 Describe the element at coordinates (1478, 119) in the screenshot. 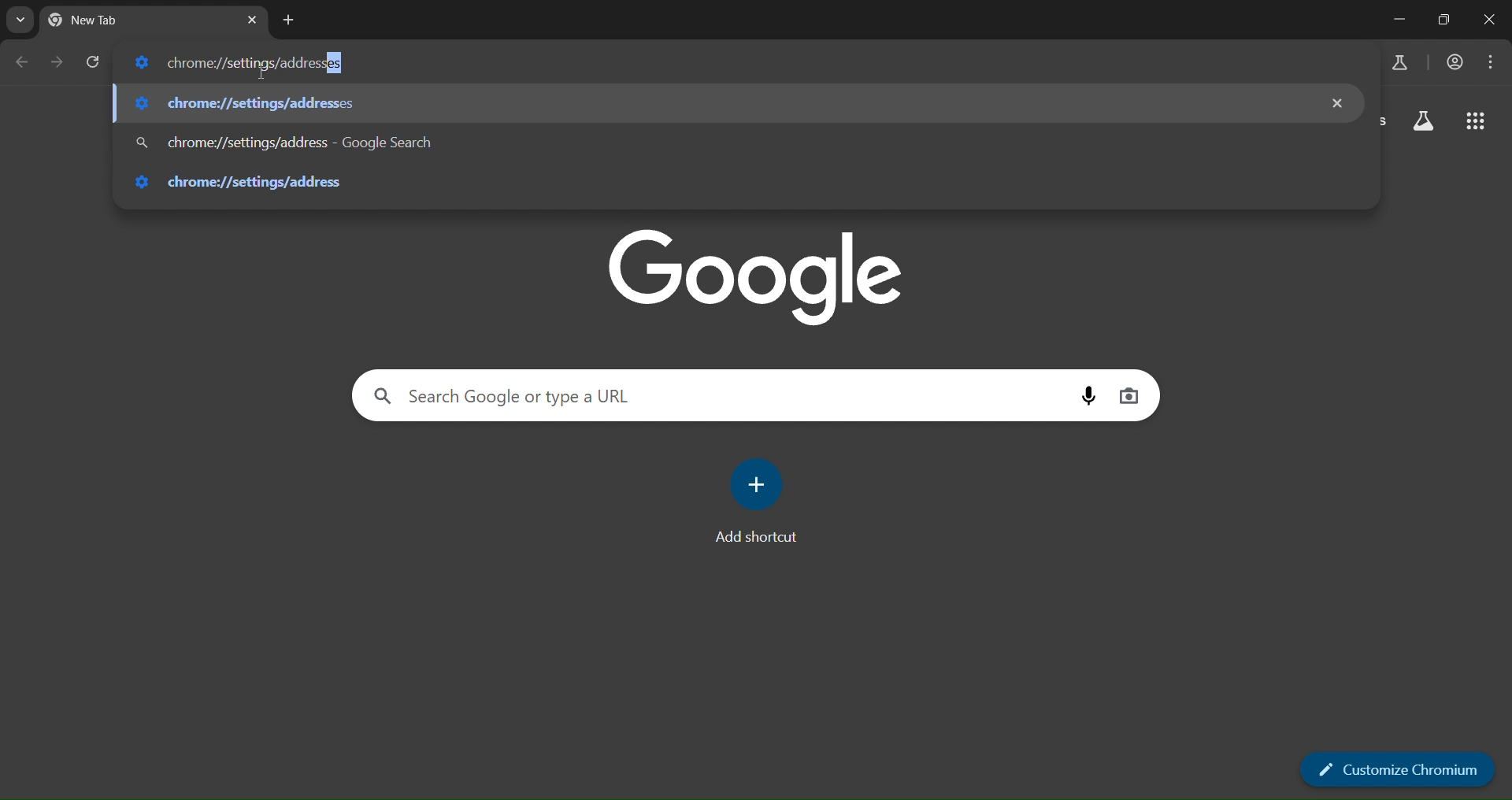

I see `google apps` at that location.